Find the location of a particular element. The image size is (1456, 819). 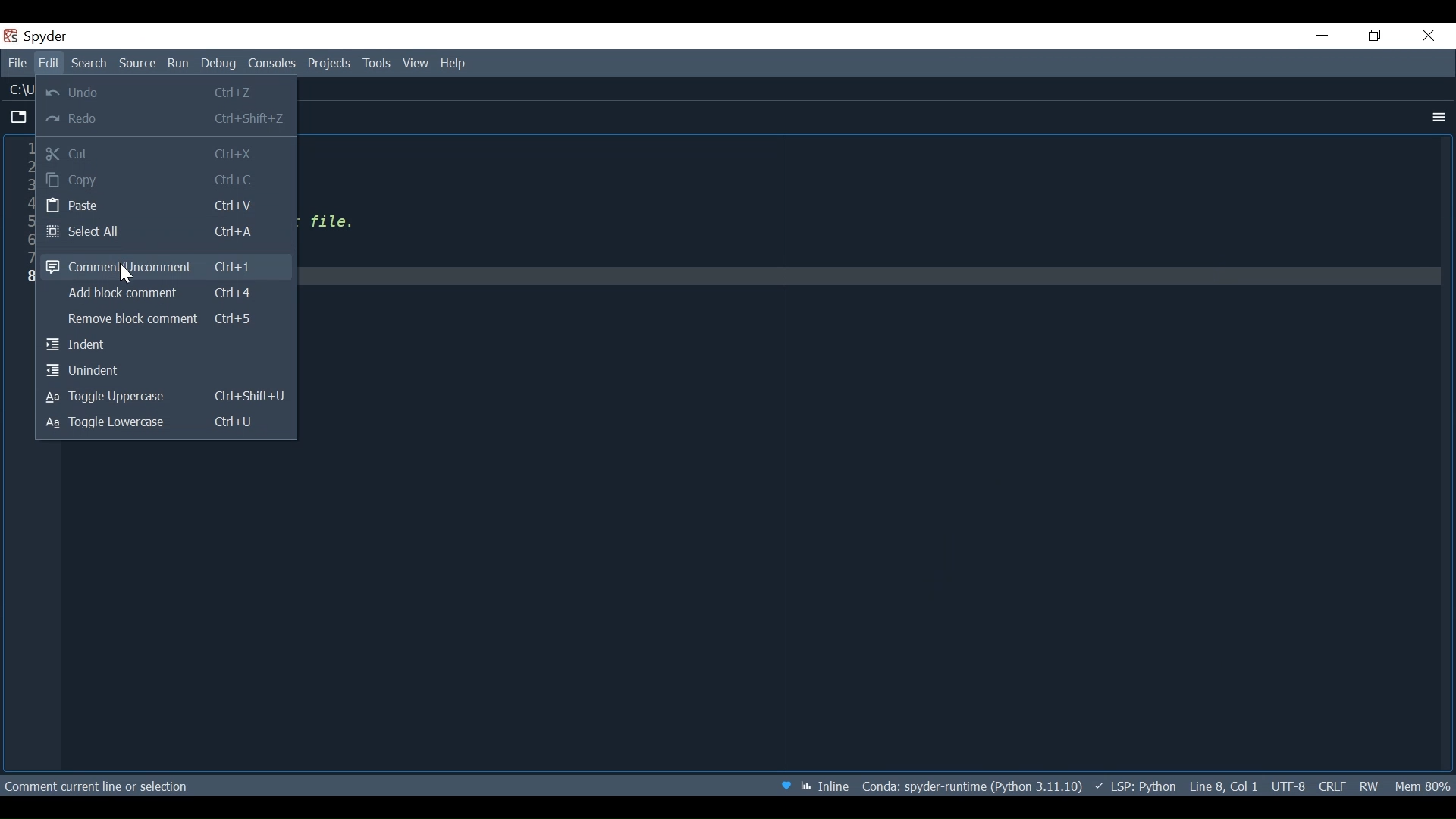

Memory Usage is located at coordinates (1423, 784).